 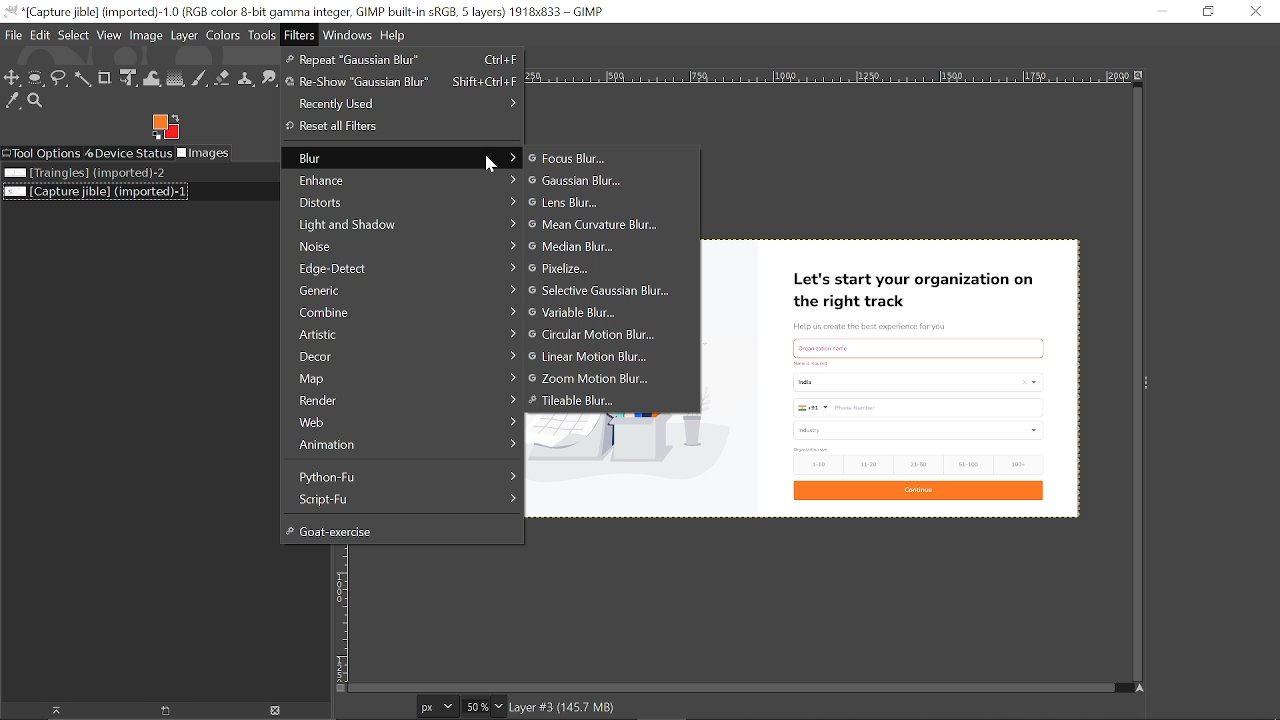 What do you see at coordinates (402, 246) in the screenshot?
I see `Noise` at bounding box center [402, 246].